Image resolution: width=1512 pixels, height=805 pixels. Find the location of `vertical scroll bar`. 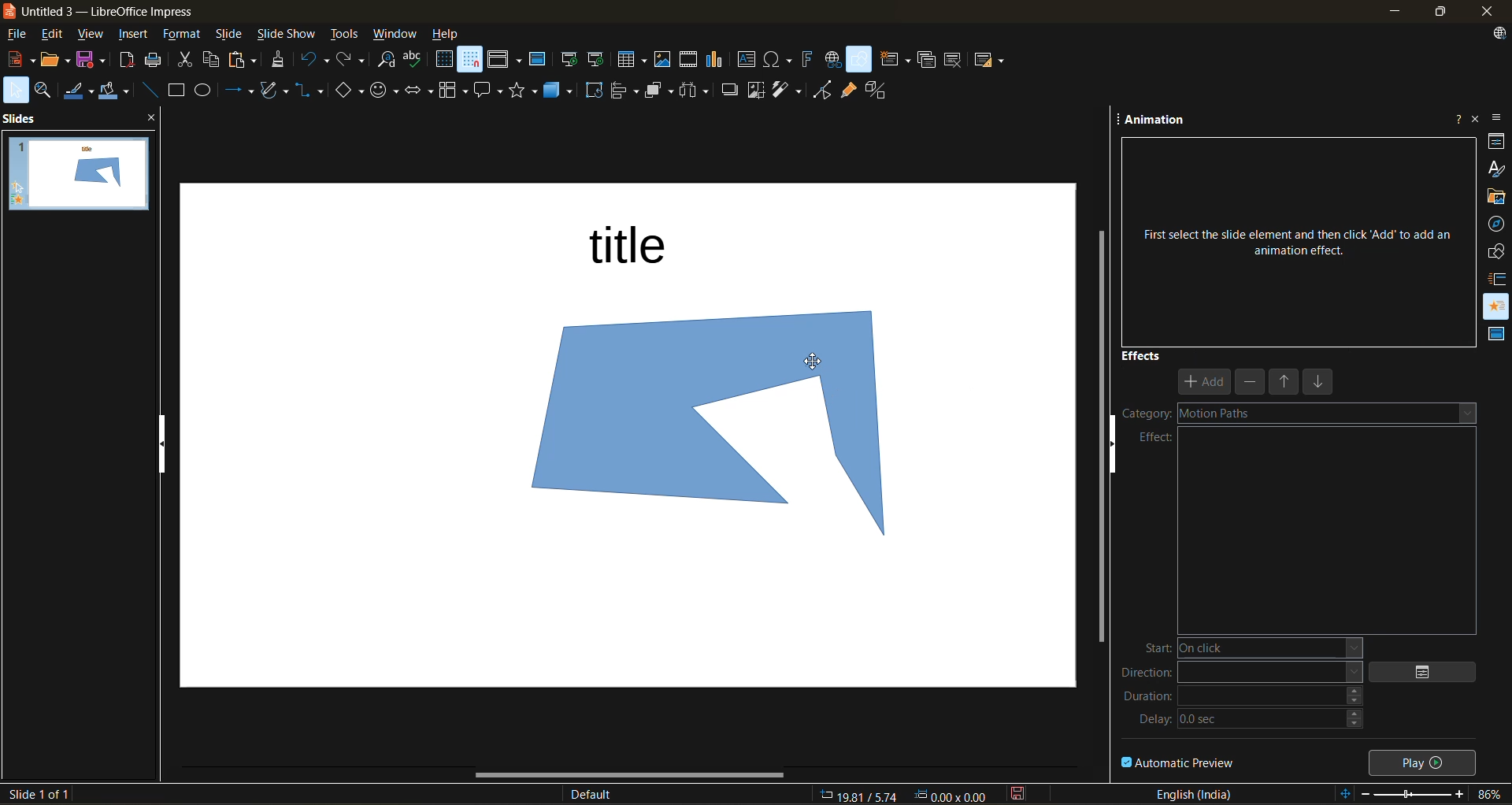

vertical scroll bar is located at coordinates (1096, 434).